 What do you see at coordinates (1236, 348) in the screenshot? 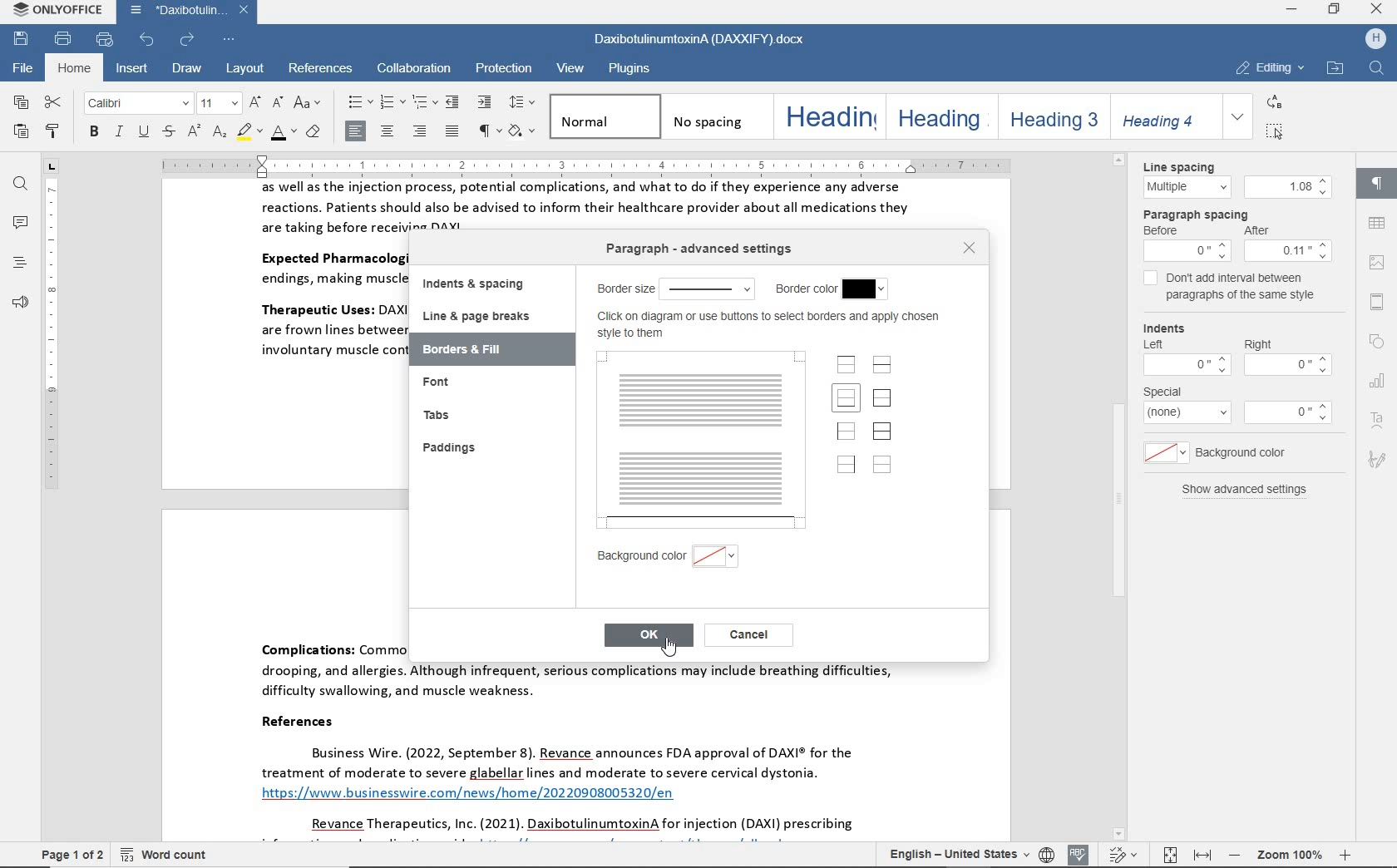
I see `Indents` at bounding box center [1236, 348].